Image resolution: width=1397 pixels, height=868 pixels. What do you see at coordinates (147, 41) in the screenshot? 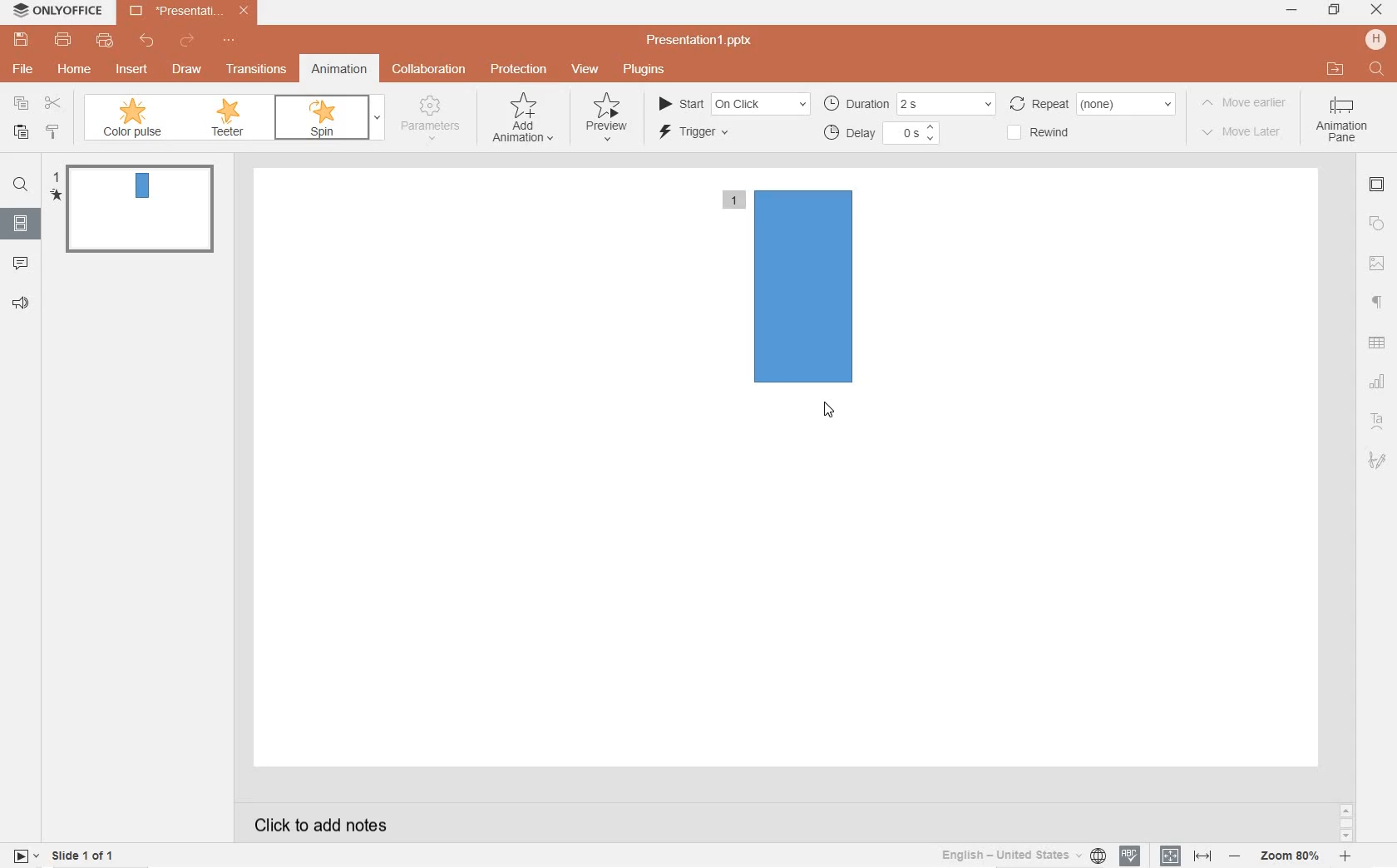
I see `undo` at bounding box center [147, 41].